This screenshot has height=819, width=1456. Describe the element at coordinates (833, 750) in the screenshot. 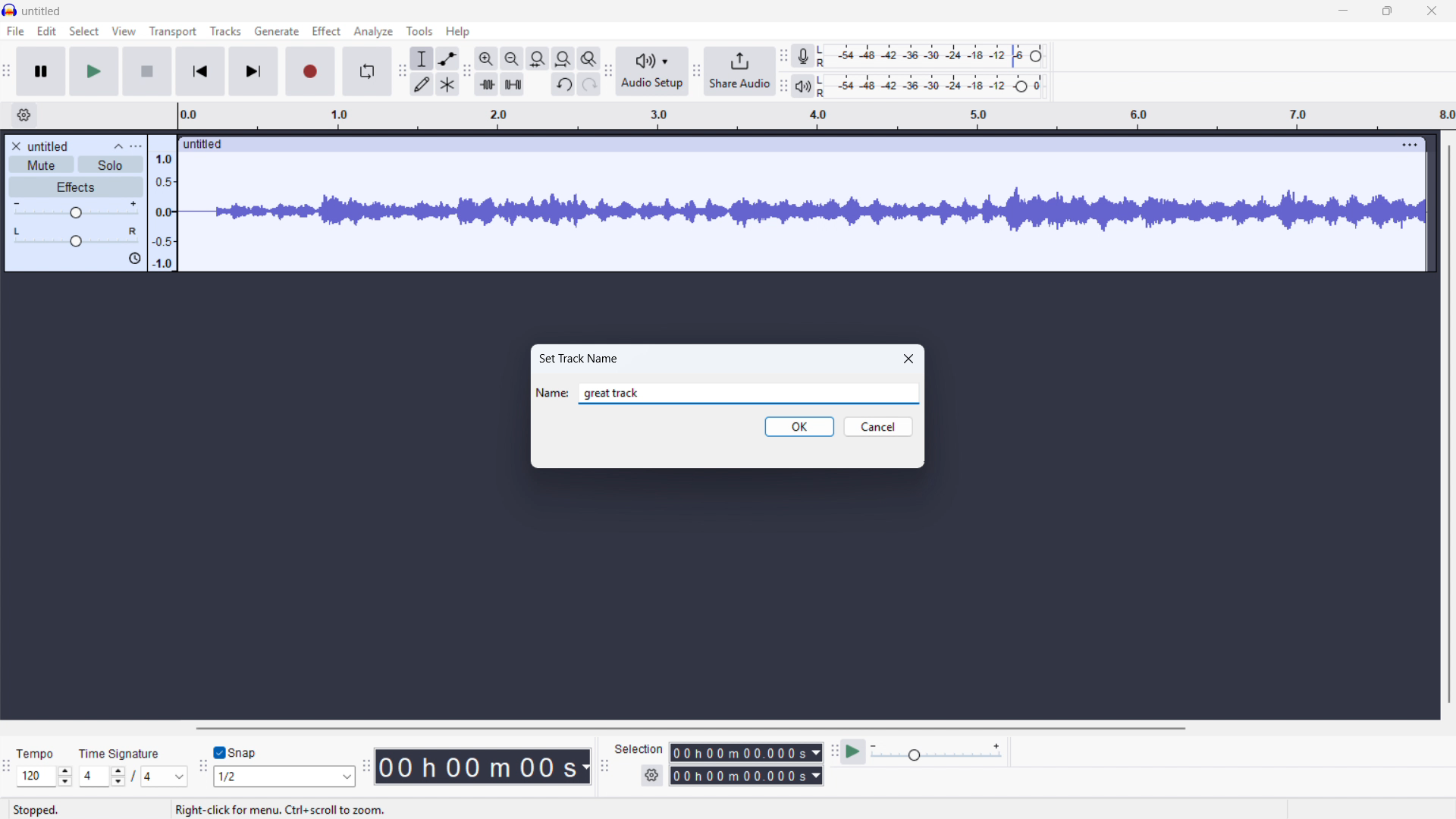

I see `Play at speed toolbar ` at that location.